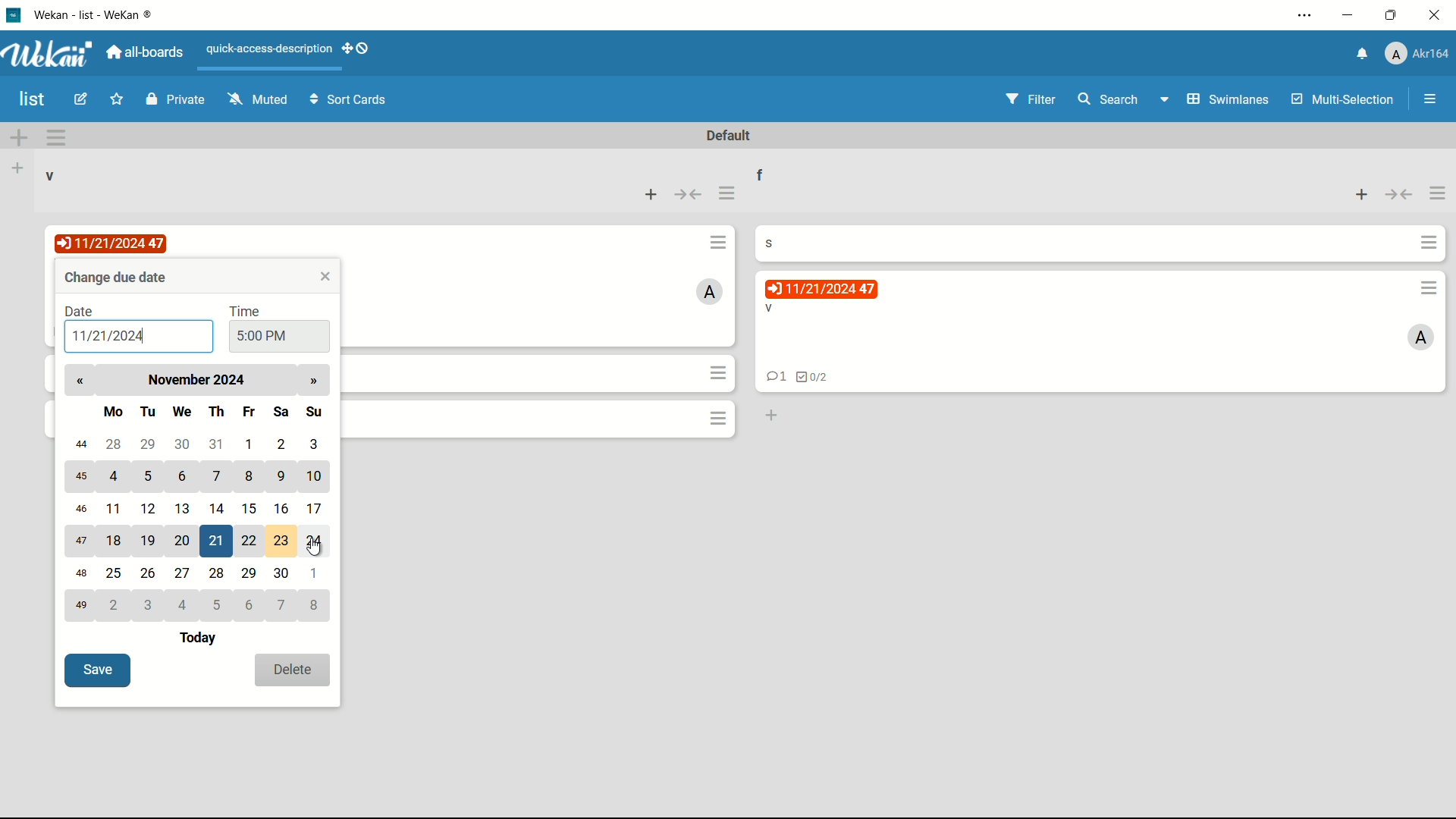  I want to click on filter, so click(1031, 99).